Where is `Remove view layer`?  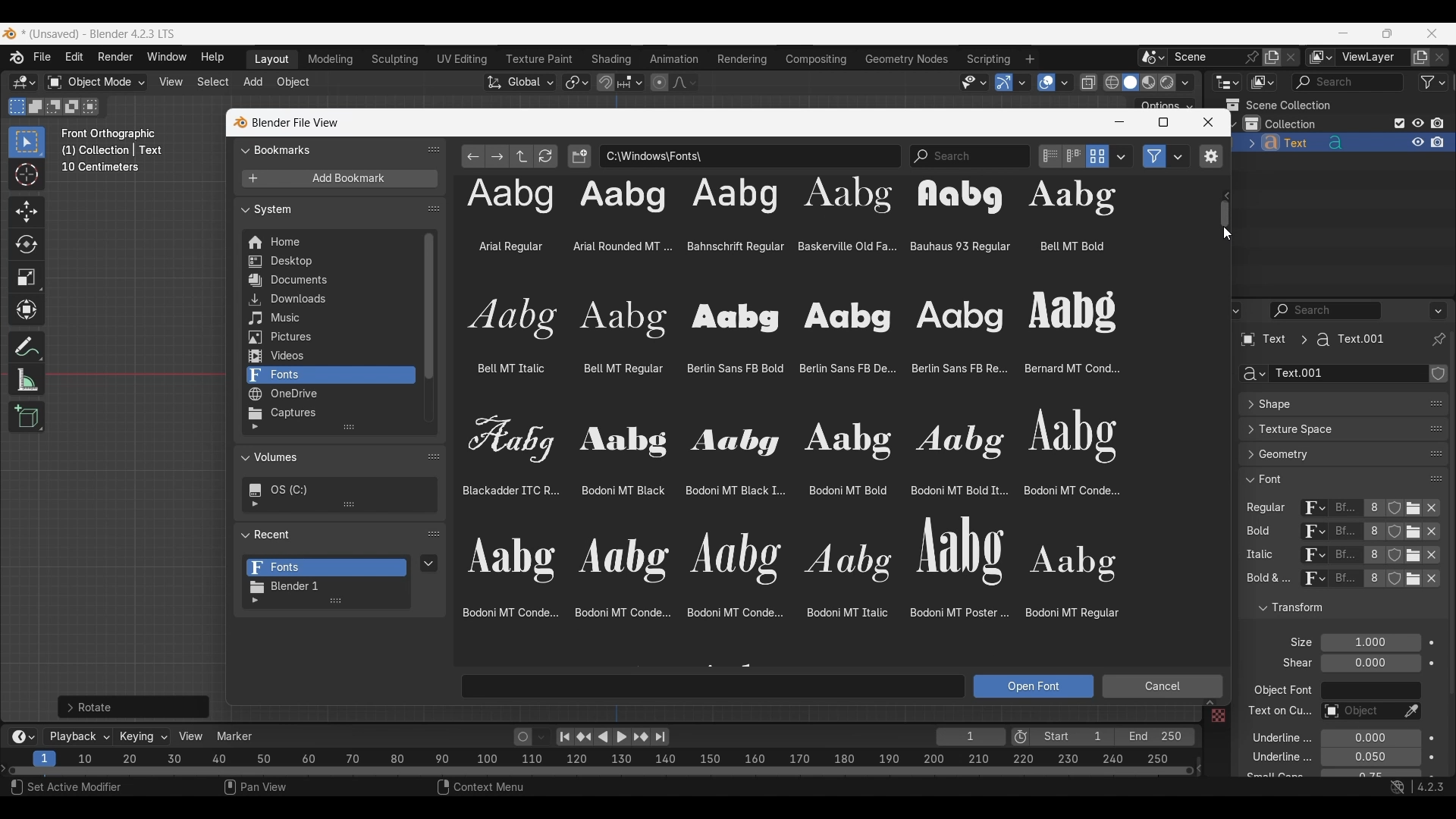
Remove view layer is located at coordinates (1440, 57).